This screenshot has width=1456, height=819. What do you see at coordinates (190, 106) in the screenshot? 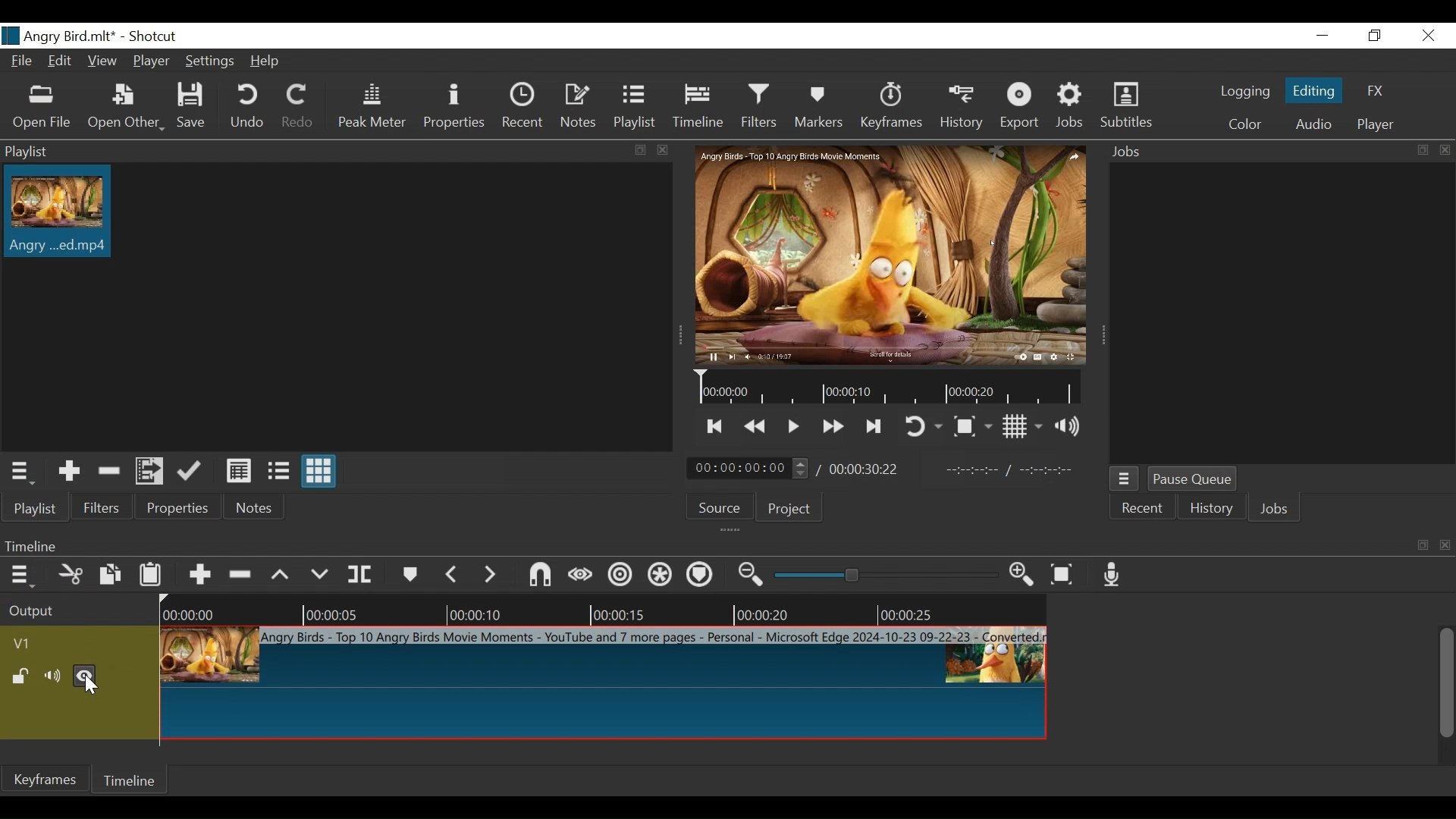
I see `Save` at bounding box center [190, 106].